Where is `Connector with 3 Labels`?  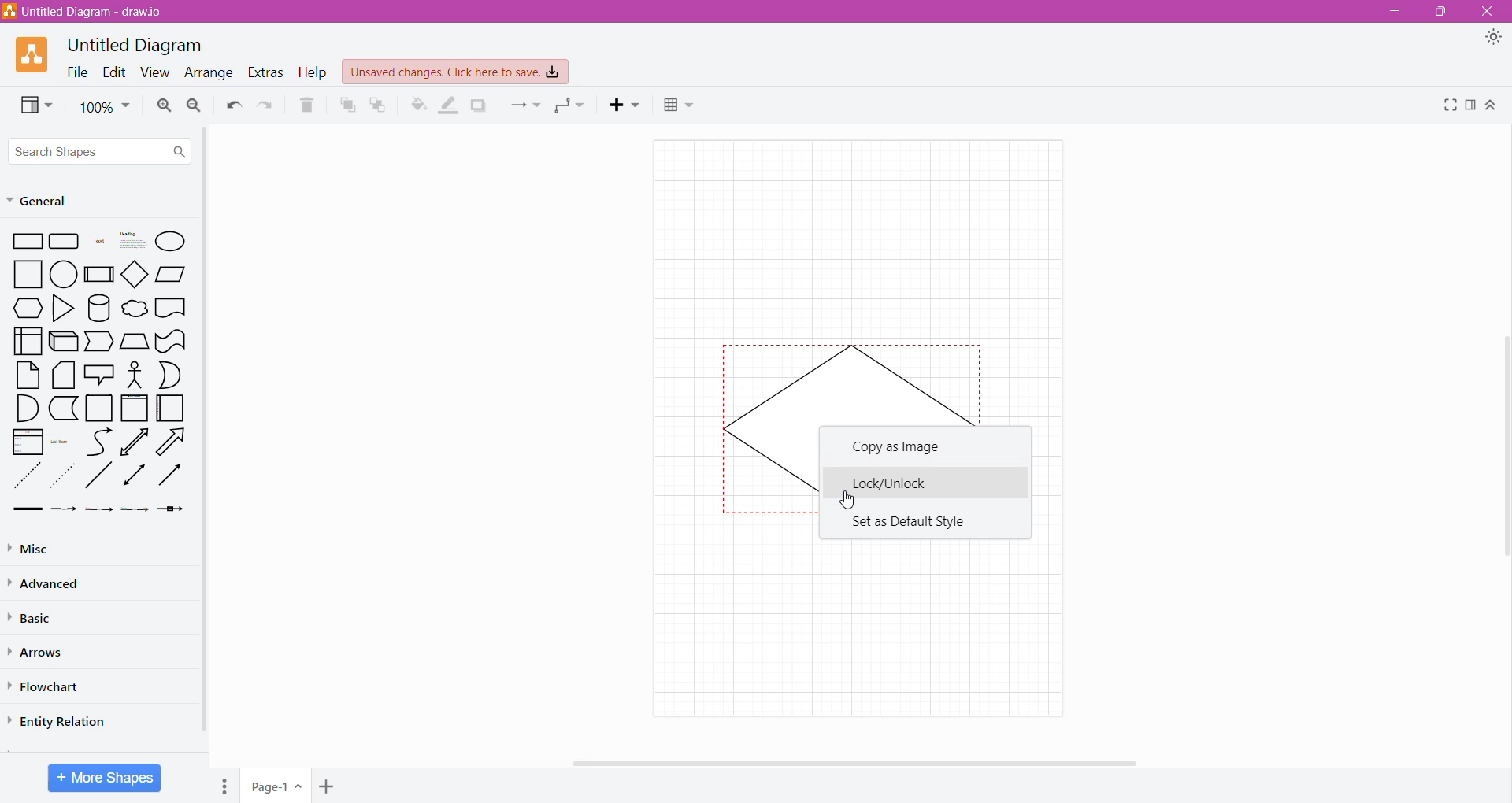
Connector with 3 Labels is located at coordinates (137, 511).